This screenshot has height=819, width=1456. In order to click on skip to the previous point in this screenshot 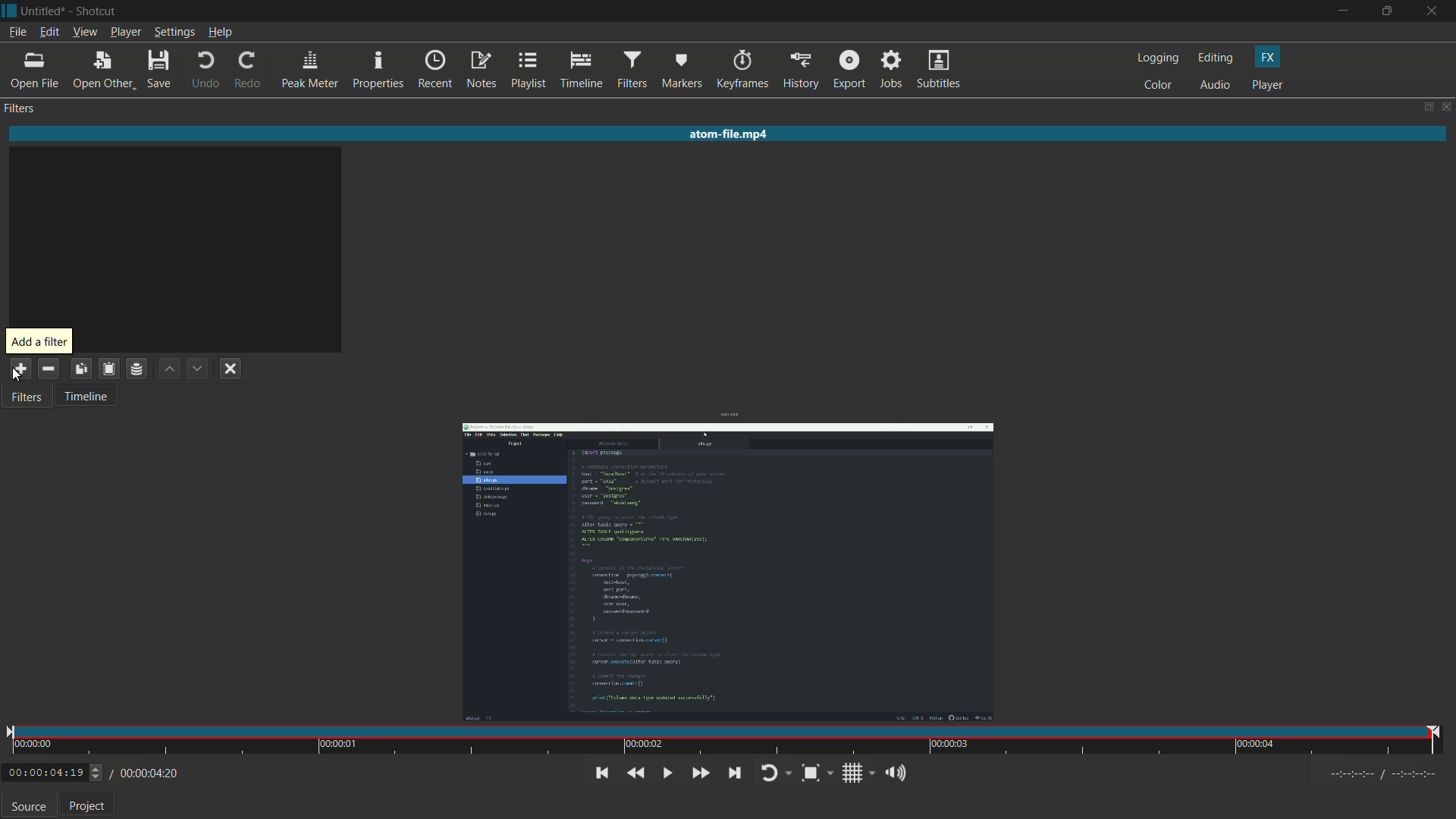, I will do `click(600, 773)`.